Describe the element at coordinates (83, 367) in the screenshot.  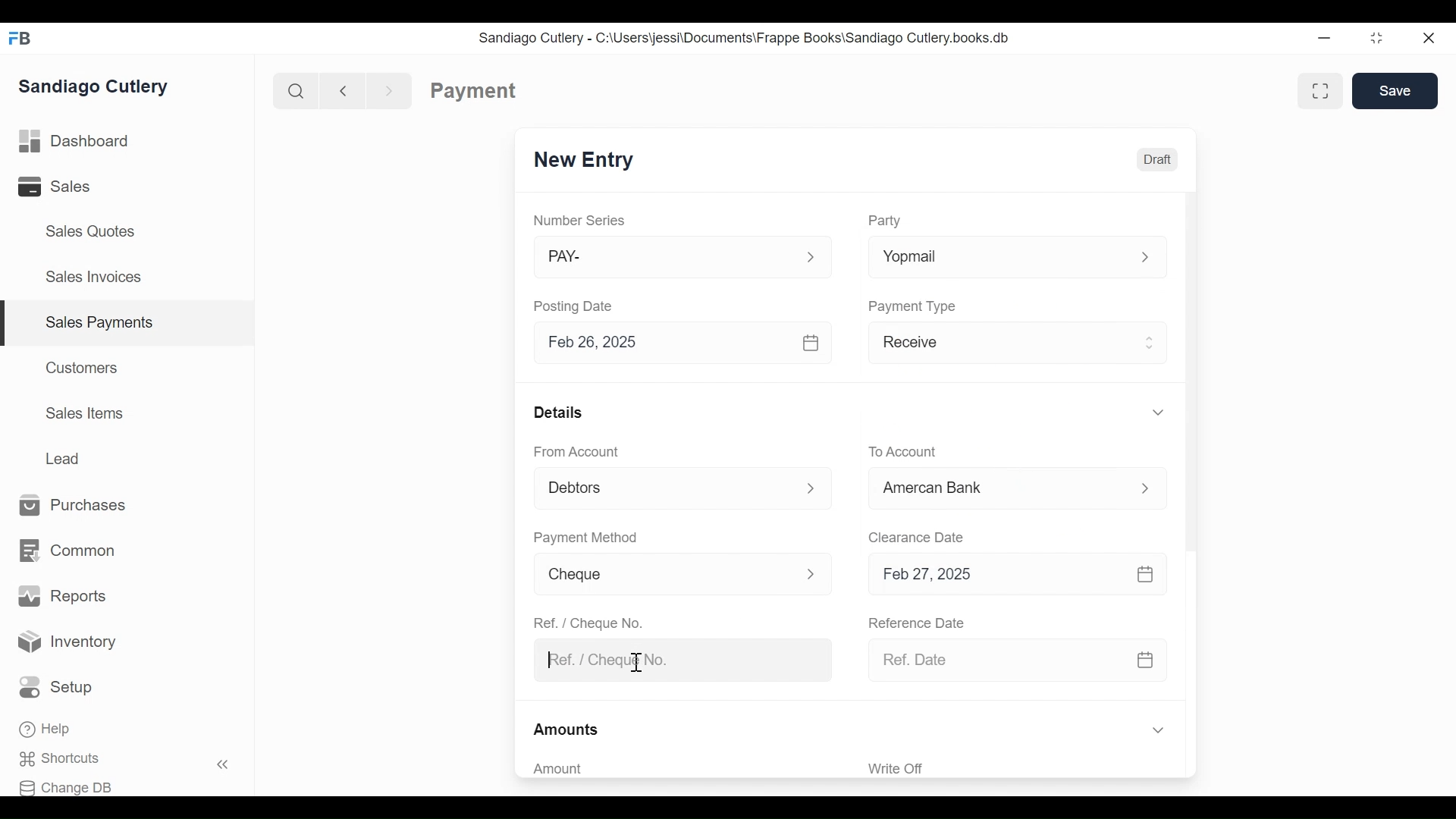
I see `Customers` at that location.